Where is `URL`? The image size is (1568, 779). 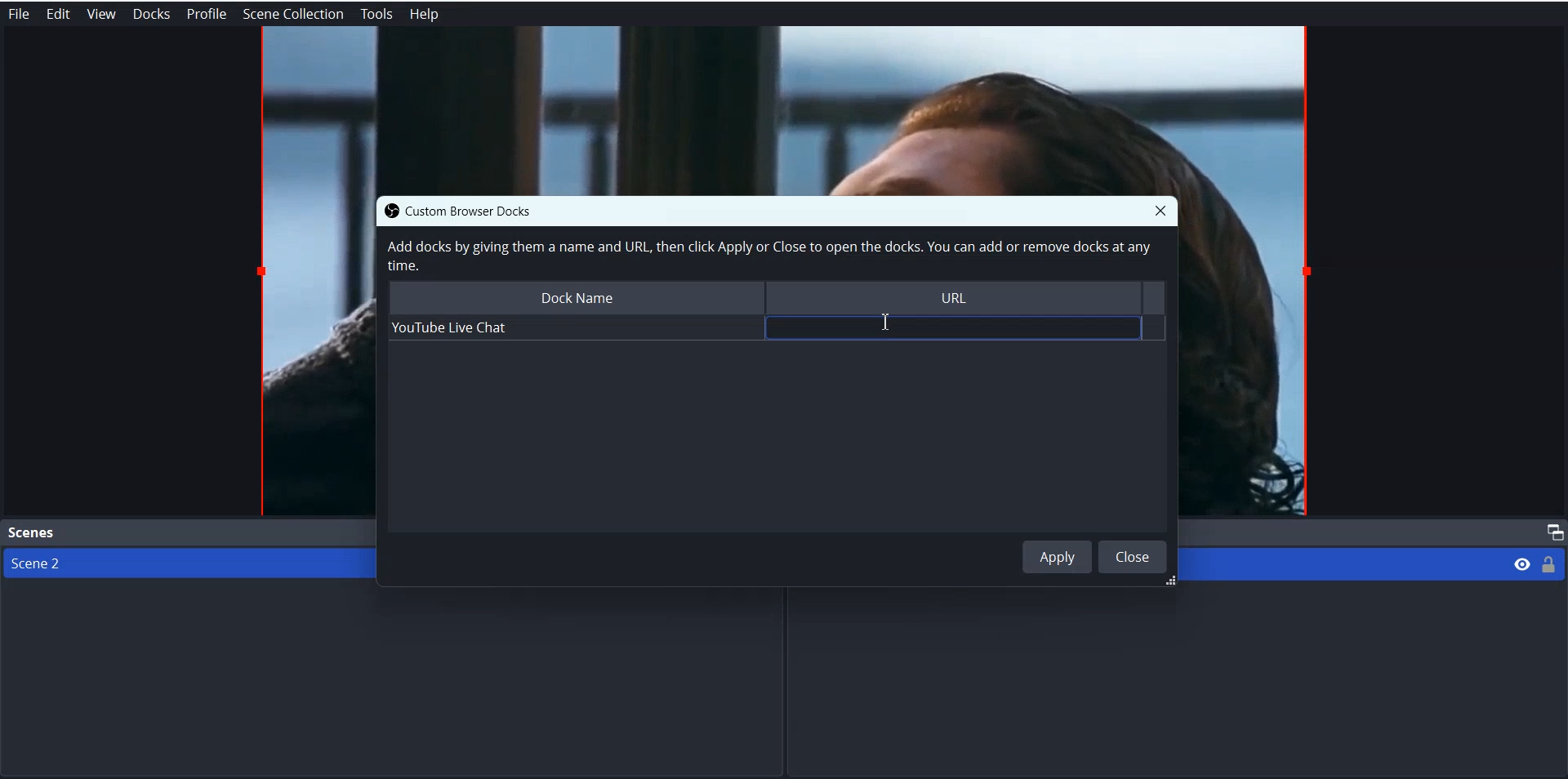
URL is located at coordinates (955, 297).